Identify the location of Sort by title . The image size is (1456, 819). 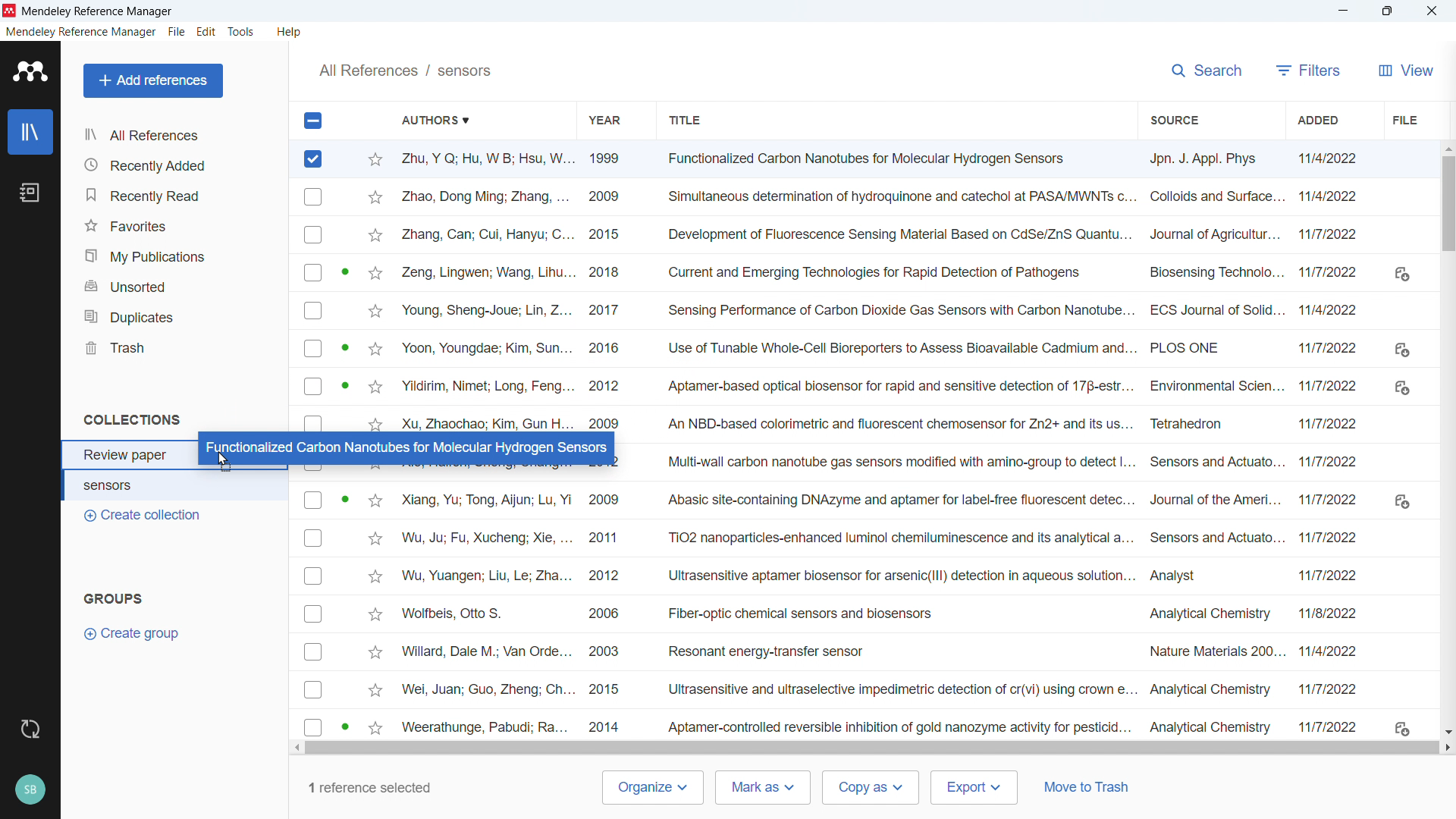
(686, 120).